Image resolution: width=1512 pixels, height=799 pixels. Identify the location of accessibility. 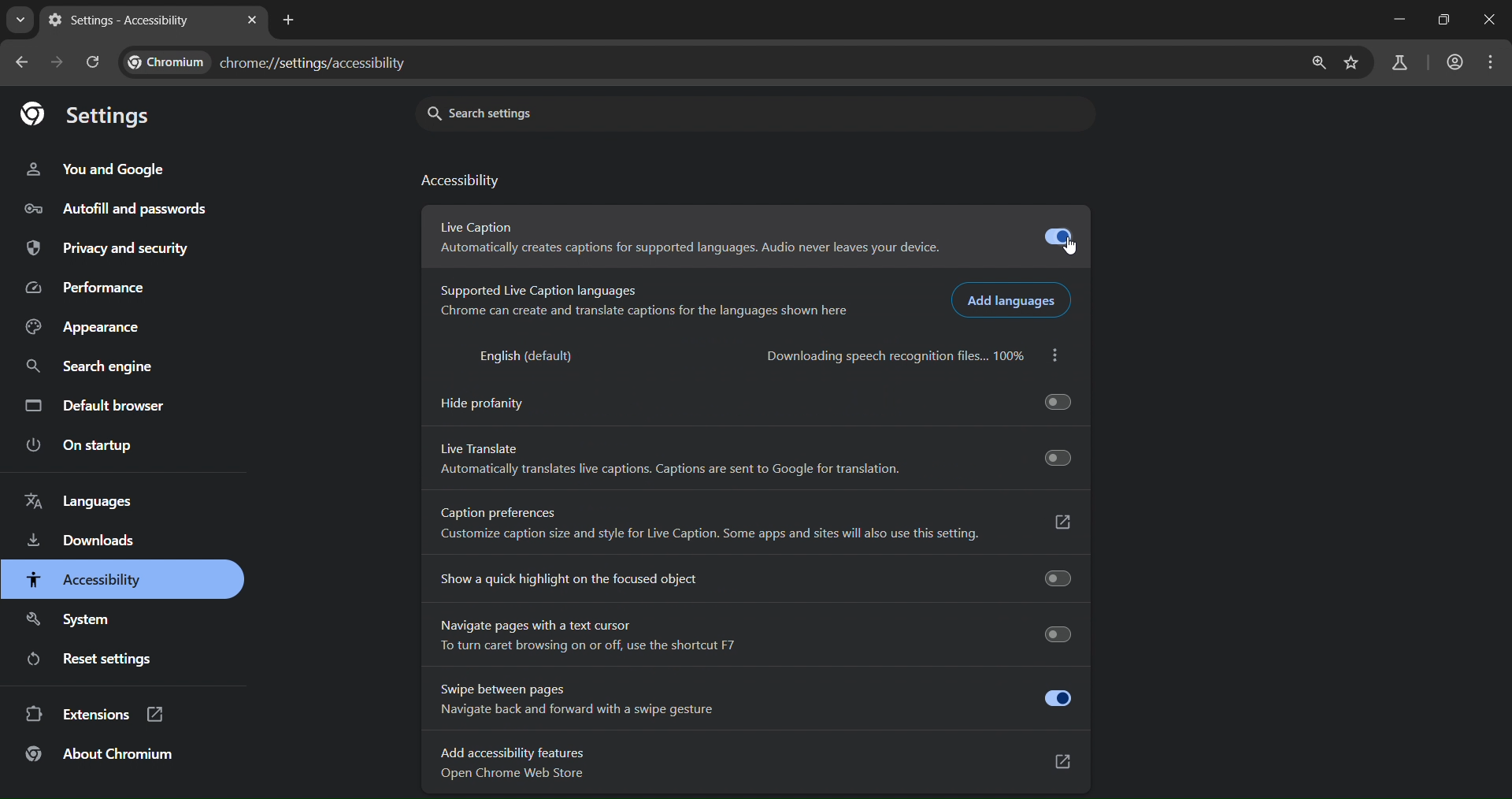
(466, 182).